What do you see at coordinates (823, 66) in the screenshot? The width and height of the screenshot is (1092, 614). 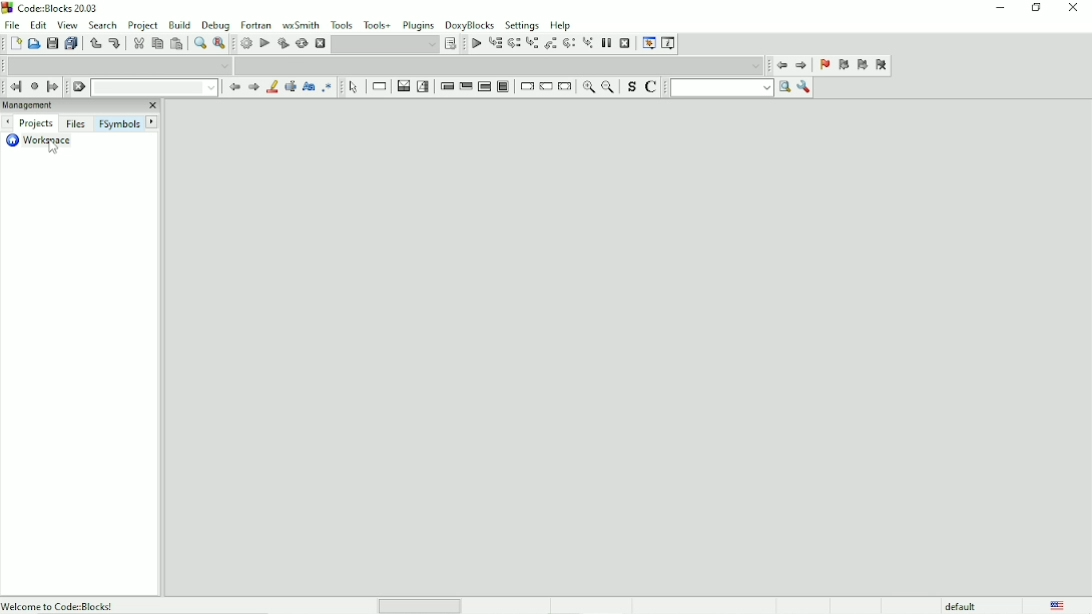 I see `Toggle bookmark` at bounding box center [823, 66].